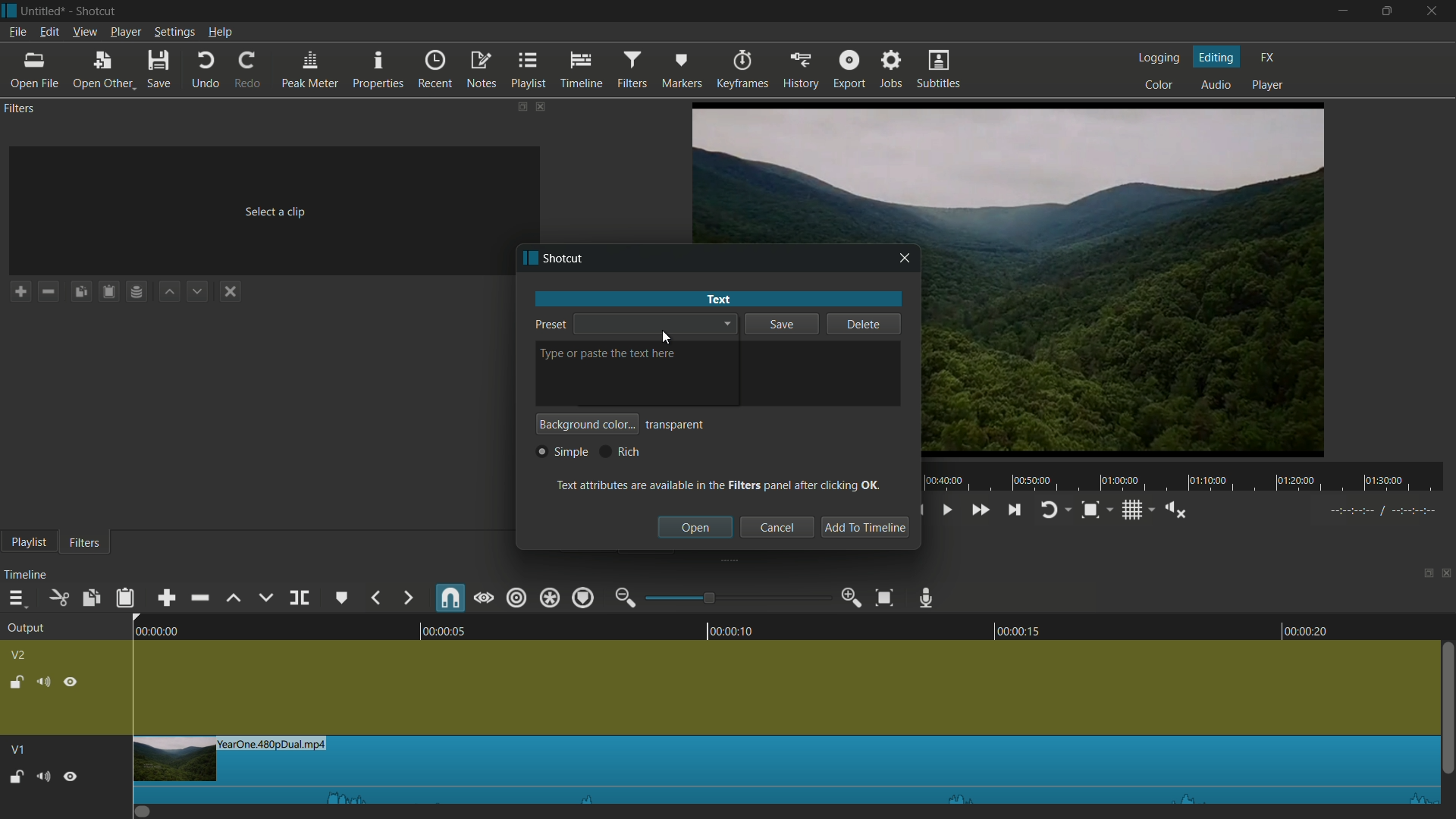  I want to click on settings menu, so click(174, 32).